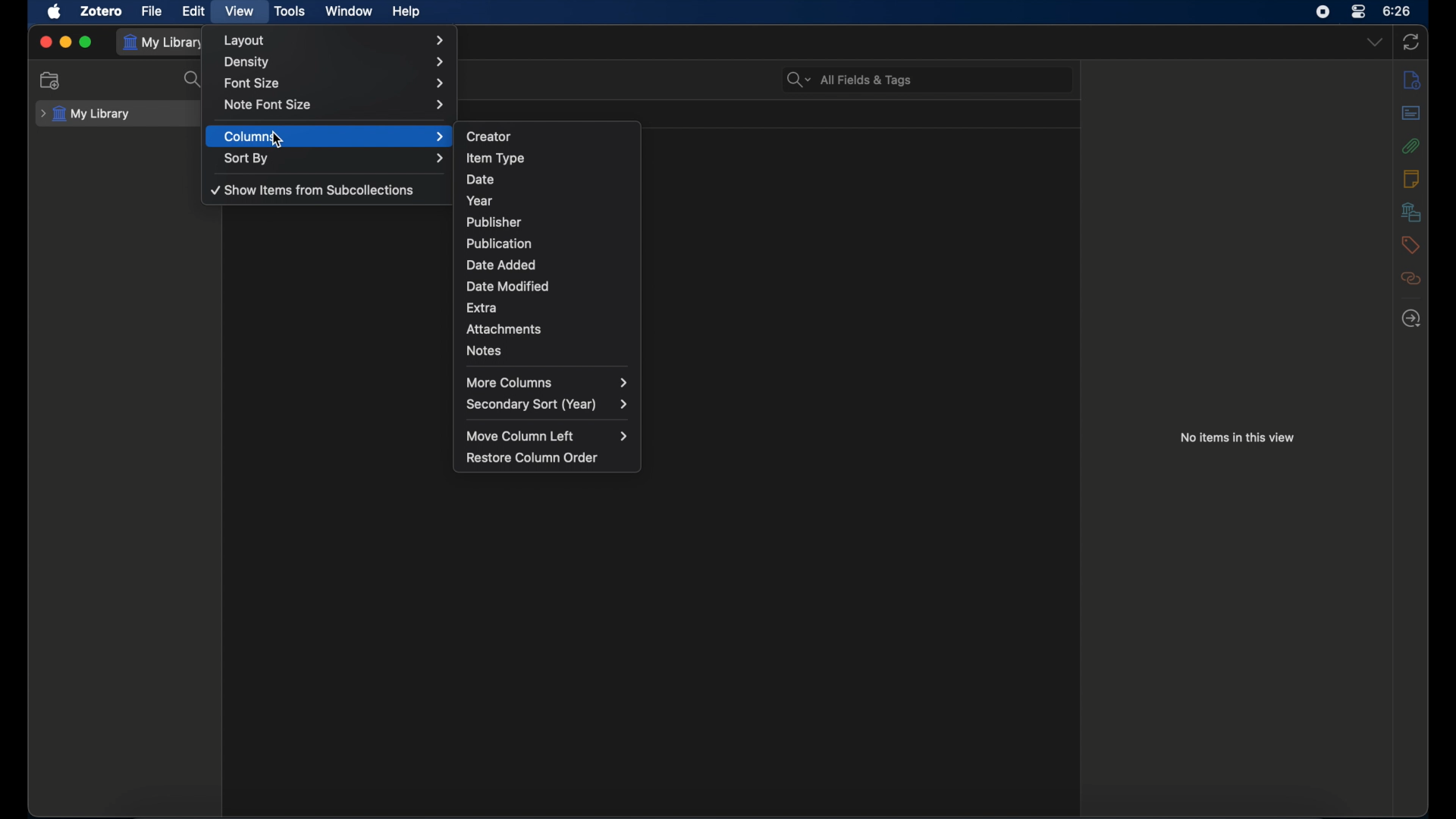 This screenshot has width=1456, height=819. Describe the element at coordinates (193, 80) in the screenshot. I see `search` at that location.